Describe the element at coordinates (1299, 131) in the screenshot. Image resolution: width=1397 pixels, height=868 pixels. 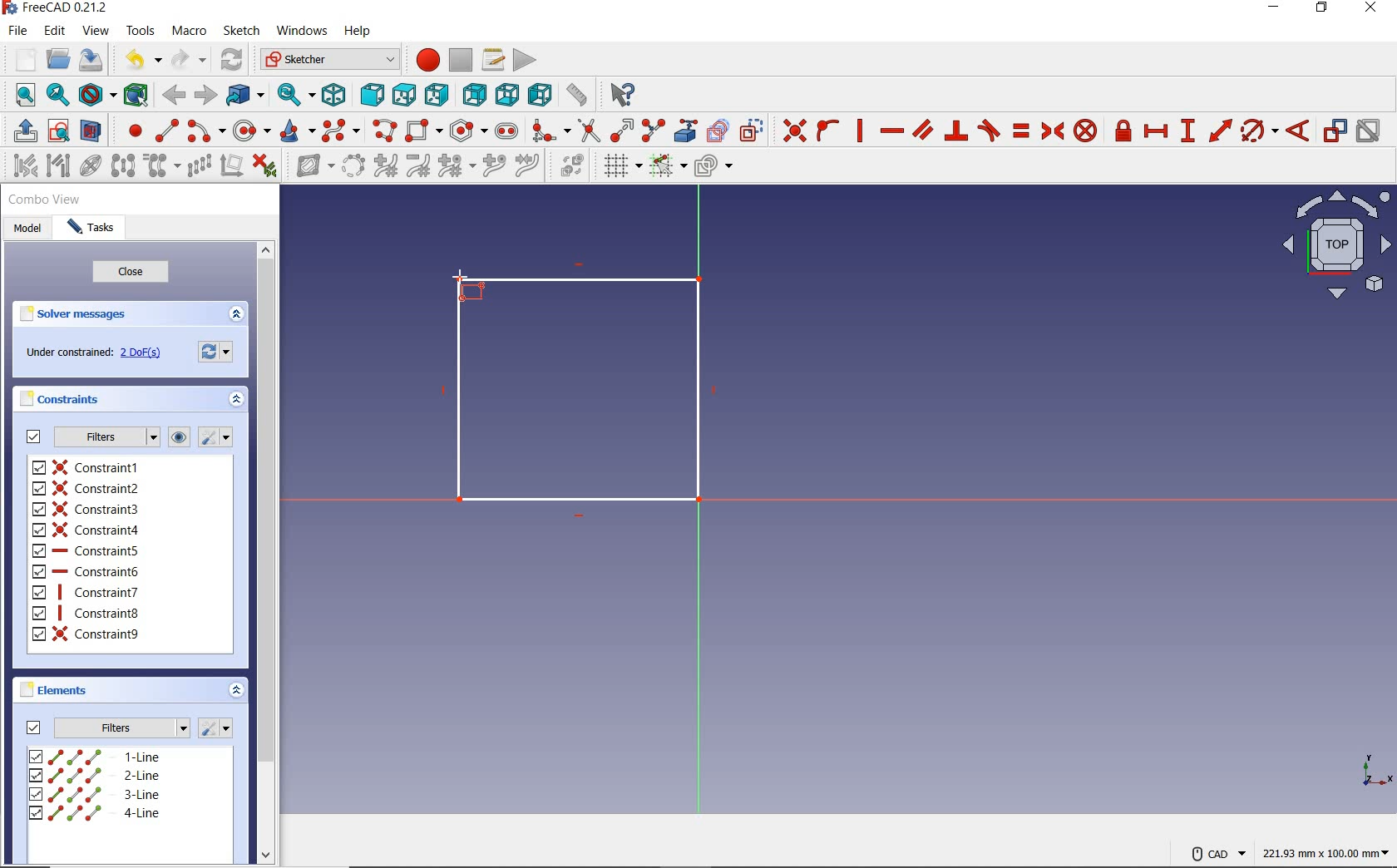
I see `constrain angle` at that location.